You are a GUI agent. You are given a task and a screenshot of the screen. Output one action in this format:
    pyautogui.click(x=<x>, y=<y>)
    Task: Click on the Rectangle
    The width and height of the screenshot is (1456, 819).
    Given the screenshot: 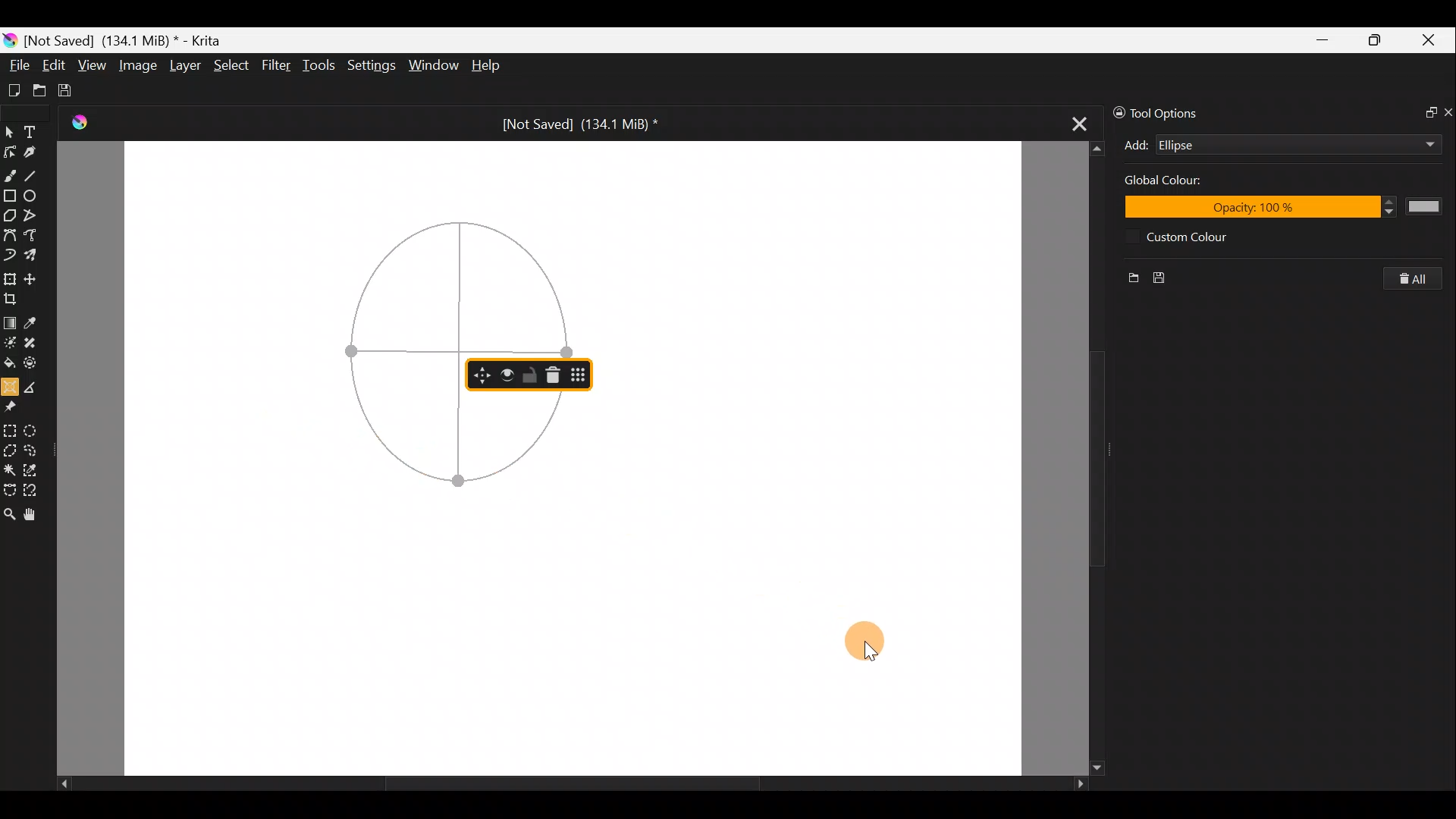 What is the action you would take?
    pyautogui.click(x=9, y=196)
    